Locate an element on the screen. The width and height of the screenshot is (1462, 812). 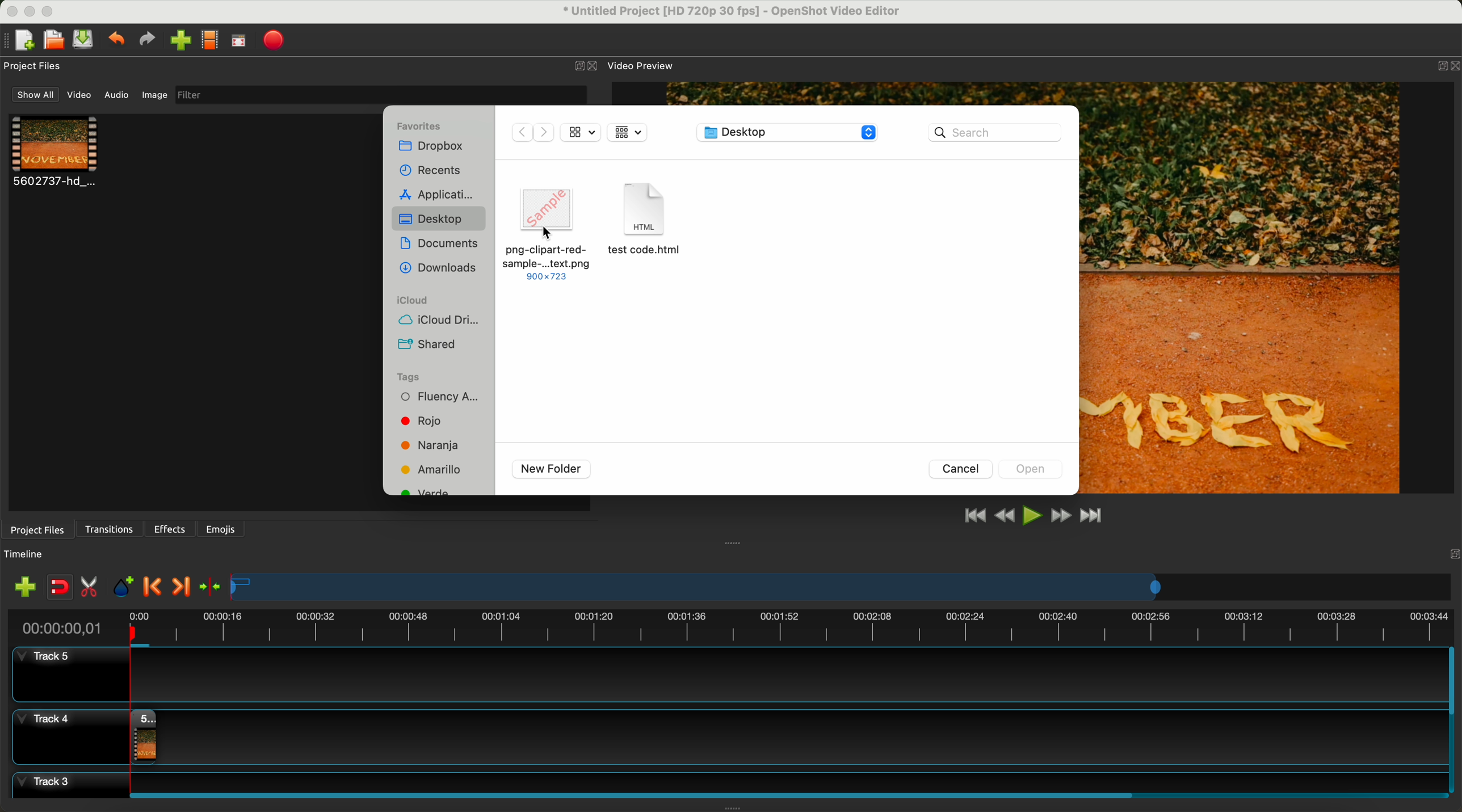
import files is located at coordinates (22, 586).